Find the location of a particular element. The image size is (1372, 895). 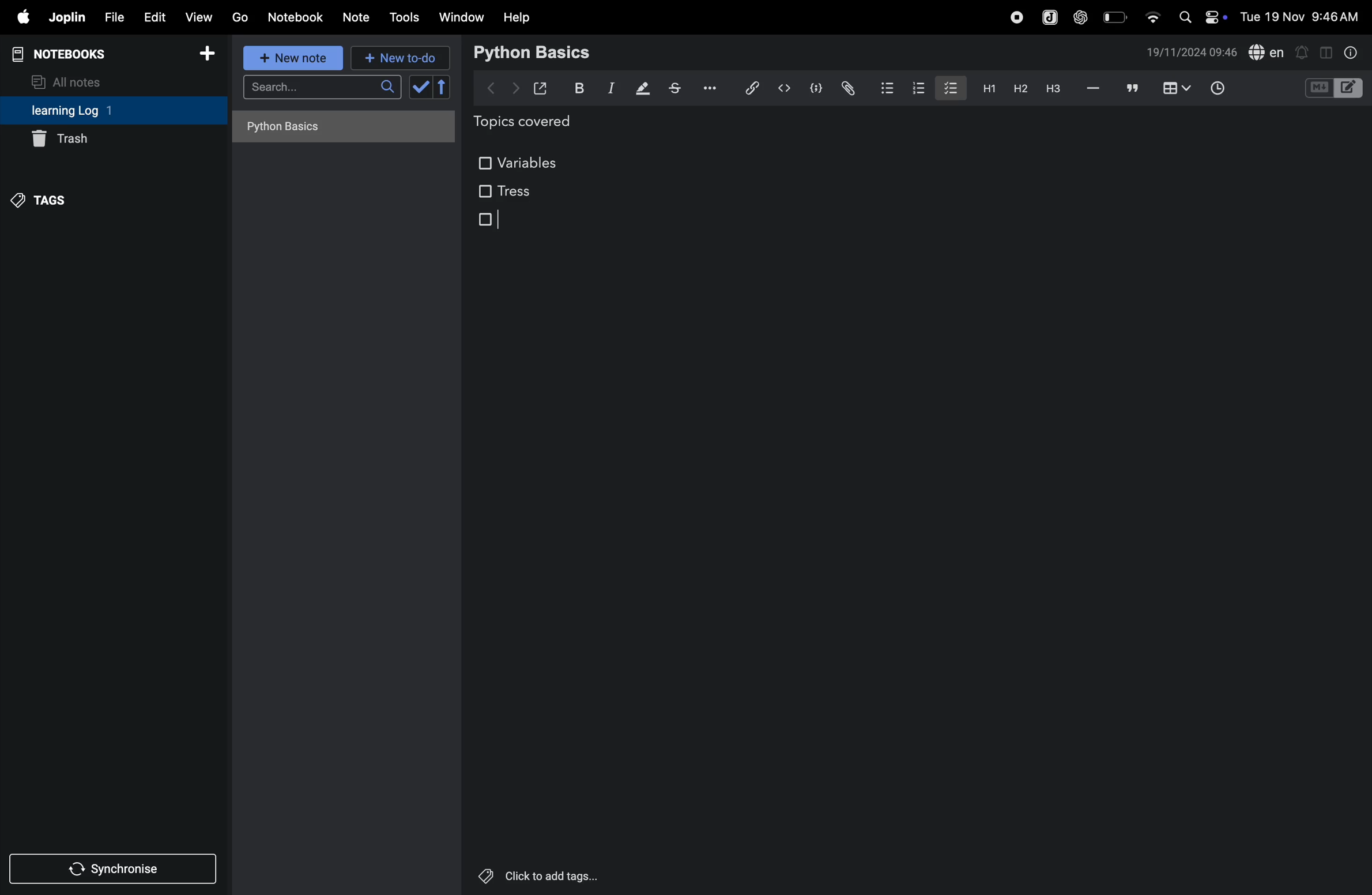

info is located at coordinates (1349, 52).